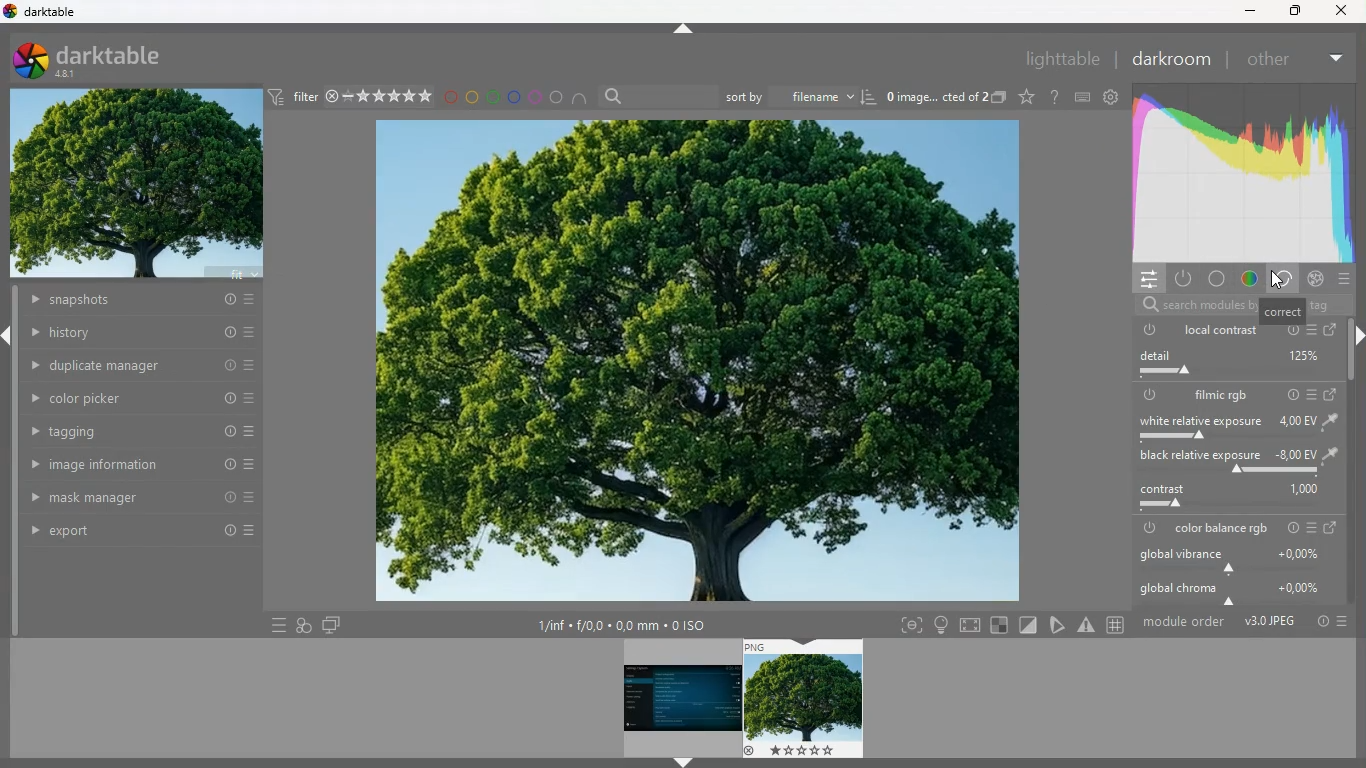 The height and width of the screenshot is (768, 1366). What do you see at coordinates (1185, 280) in the screenshot?
I see `power` at bounding box center [1185, 280].